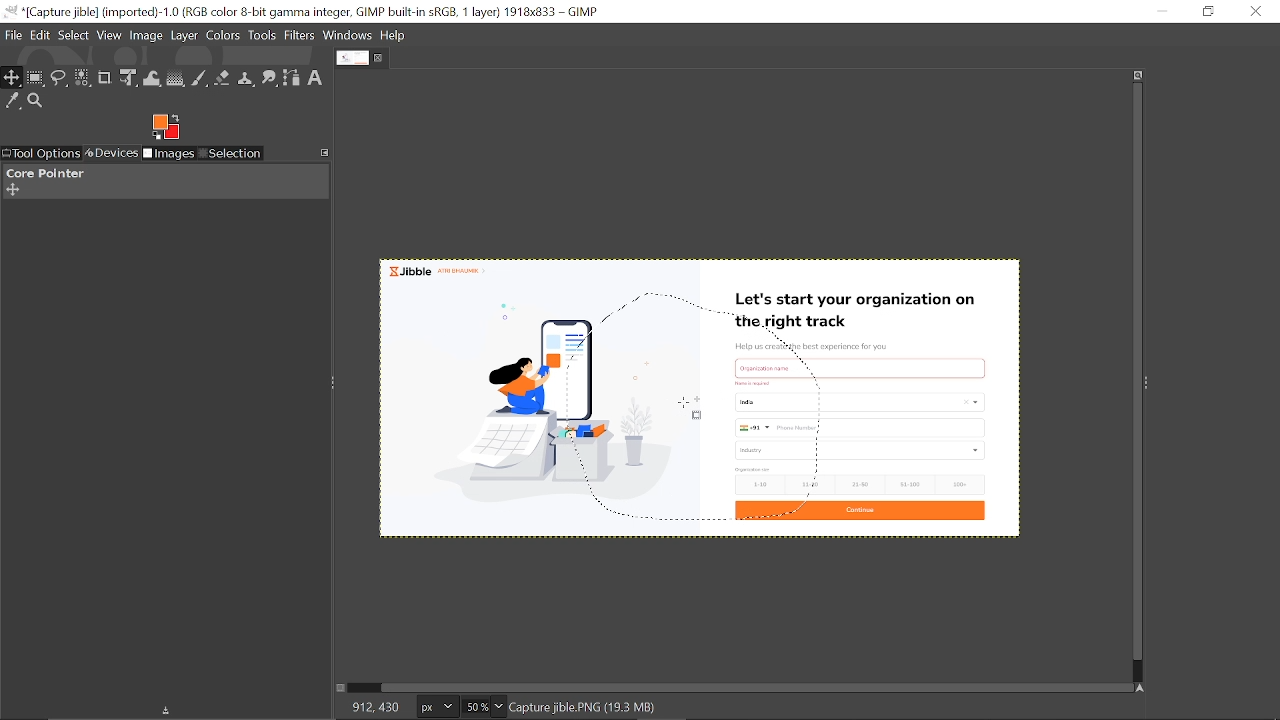  I want to click on Wrap text tool, so click(153, 79).